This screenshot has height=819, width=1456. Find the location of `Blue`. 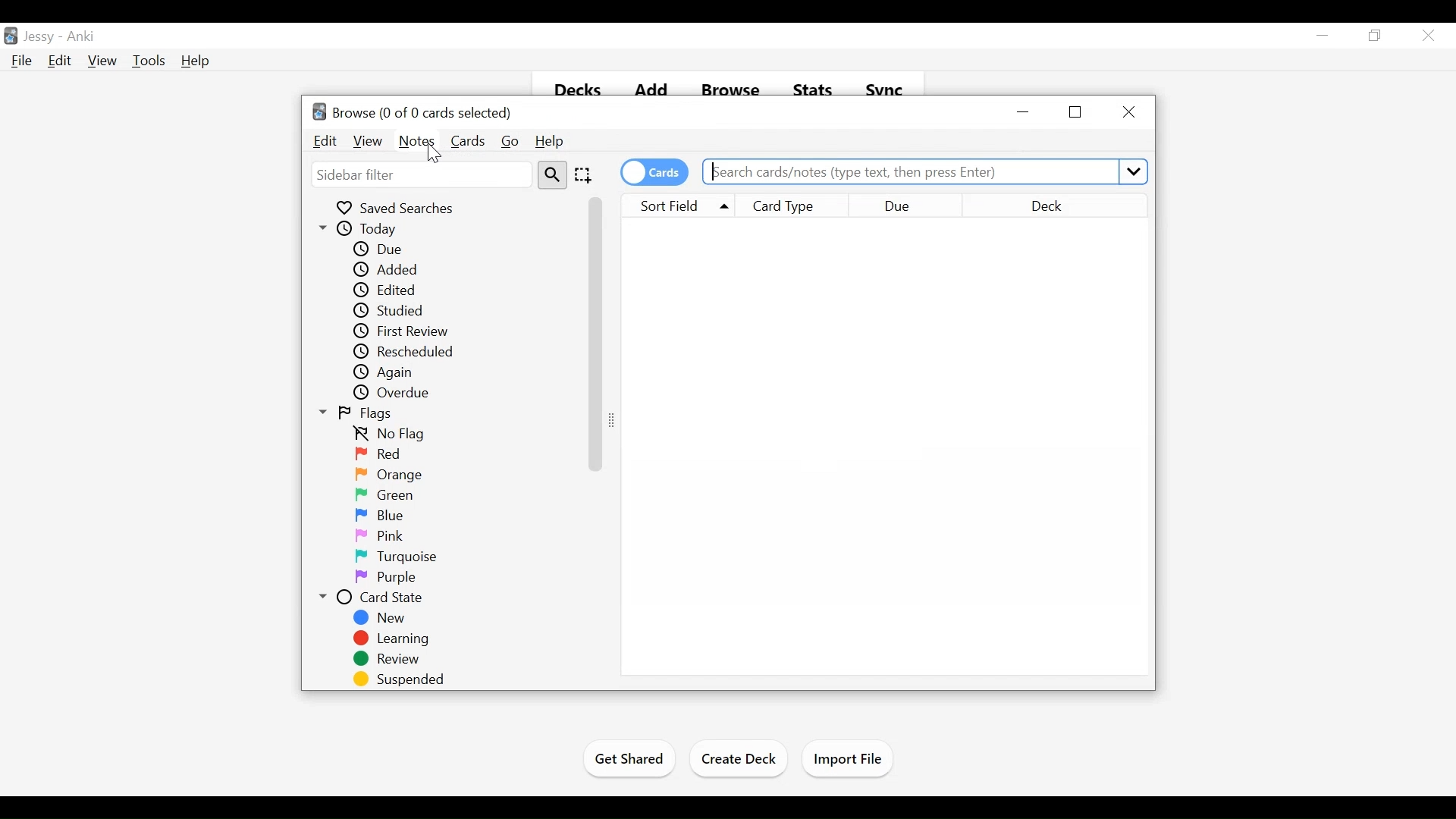

Blue is located at coordinates (380, 516).